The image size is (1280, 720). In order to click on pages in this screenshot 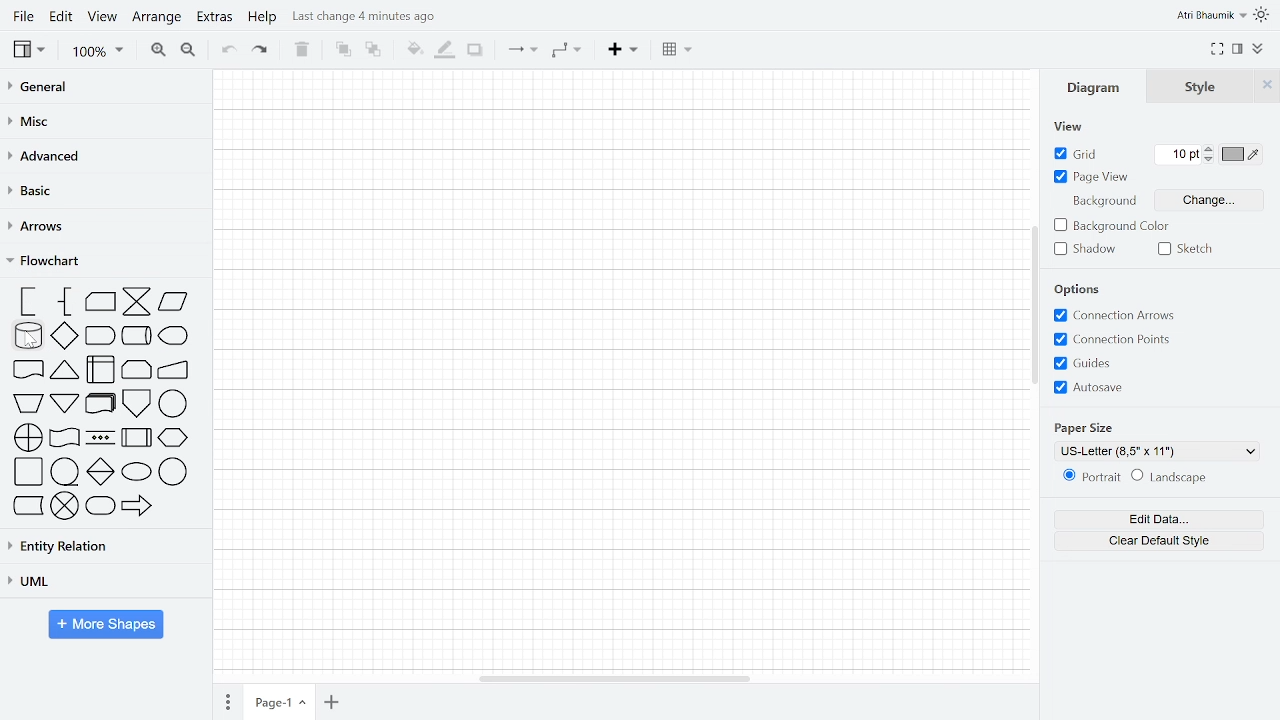, I will do `click(230, 700)`.